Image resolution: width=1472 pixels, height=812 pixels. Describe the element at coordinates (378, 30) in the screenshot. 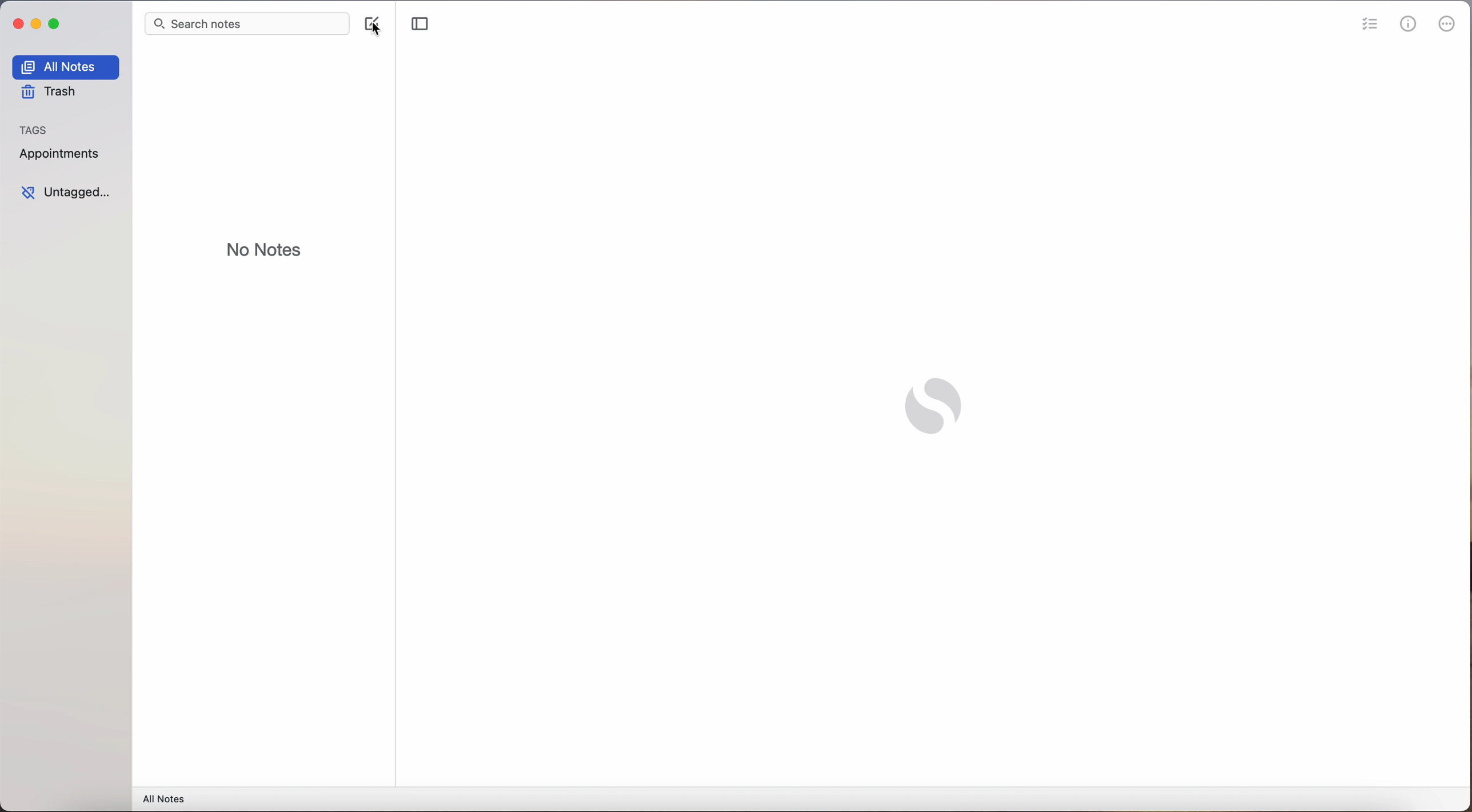

I see `cursor` at that location.